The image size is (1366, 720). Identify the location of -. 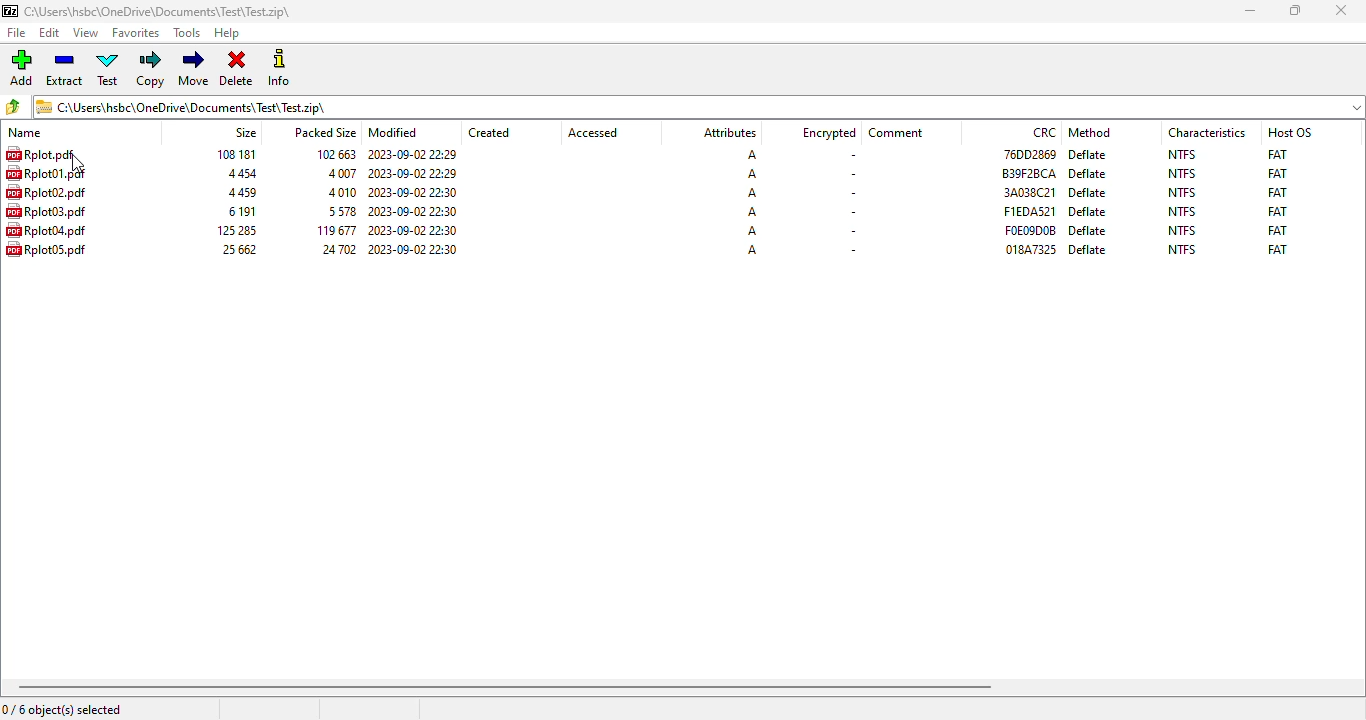
(851, 251).